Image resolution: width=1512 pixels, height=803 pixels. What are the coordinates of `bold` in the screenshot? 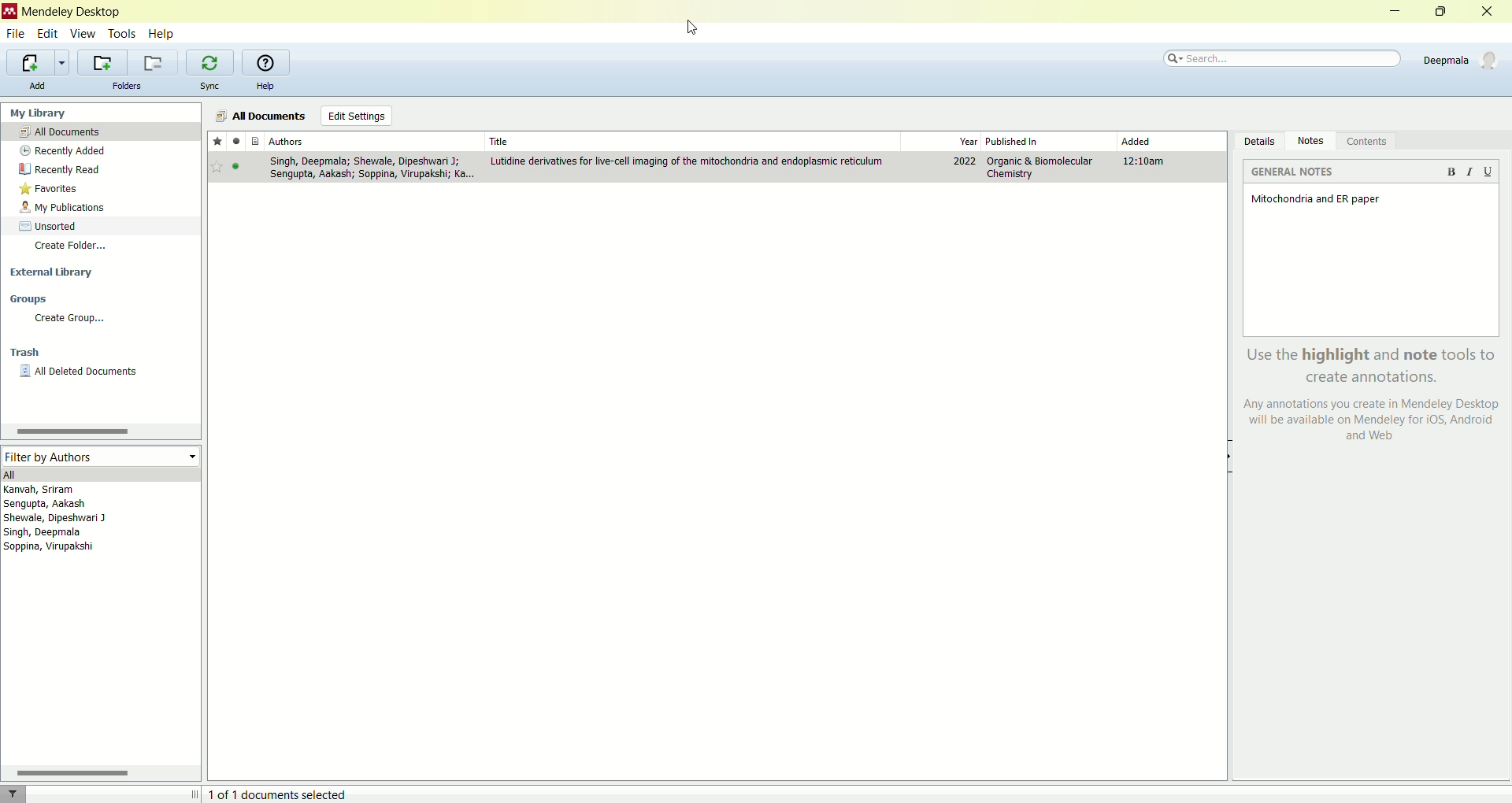 It's located at (1455, 176).